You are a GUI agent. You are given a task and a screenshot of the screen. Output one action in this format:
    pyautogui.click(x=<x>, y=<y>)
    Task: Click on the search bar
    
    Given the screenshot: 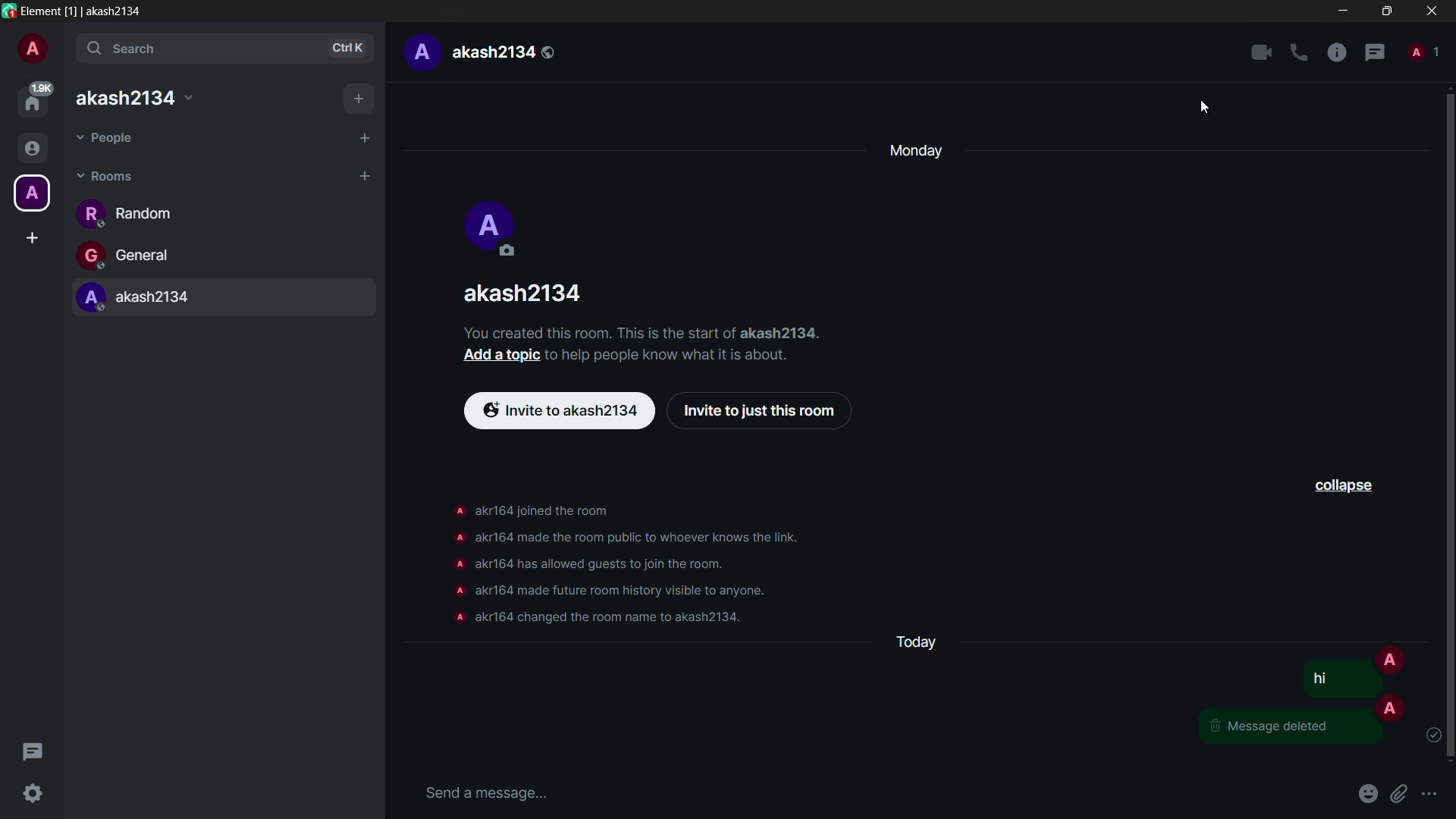 What is the action you would take?
    pyautogui.click(x=225, y=49)
    